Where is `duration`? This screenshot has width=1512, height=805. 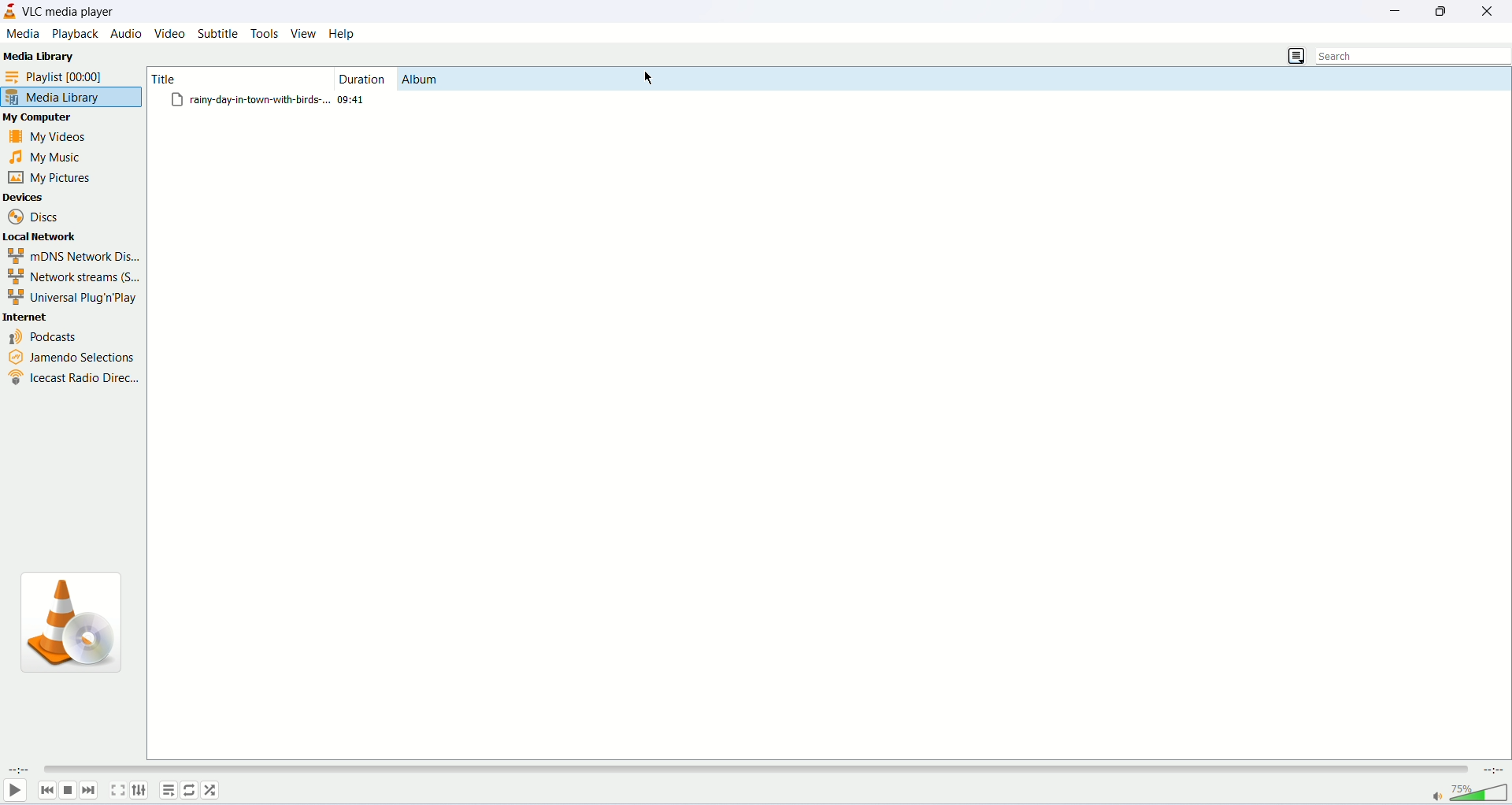
duration is located at coordinates (361, 78).